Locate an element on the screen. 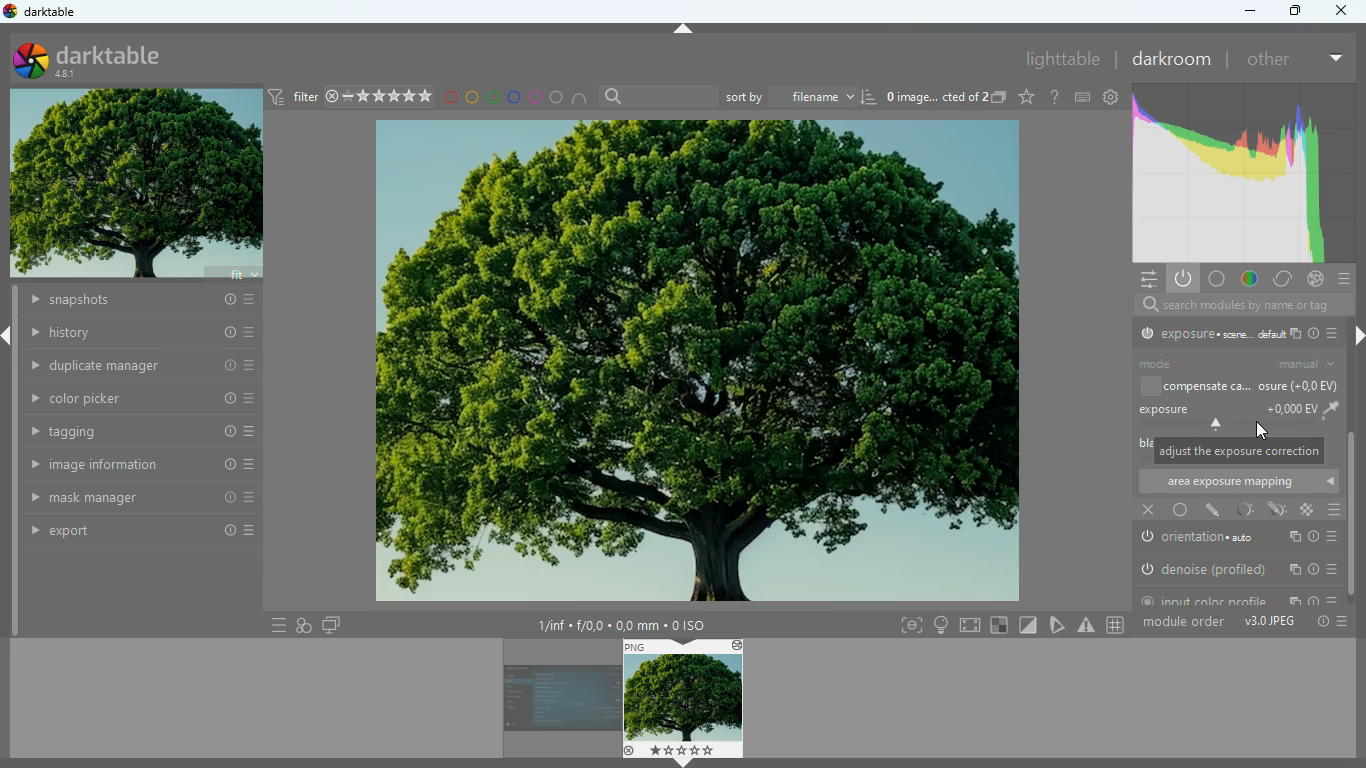  more options is located at coordinates (1350, 621).